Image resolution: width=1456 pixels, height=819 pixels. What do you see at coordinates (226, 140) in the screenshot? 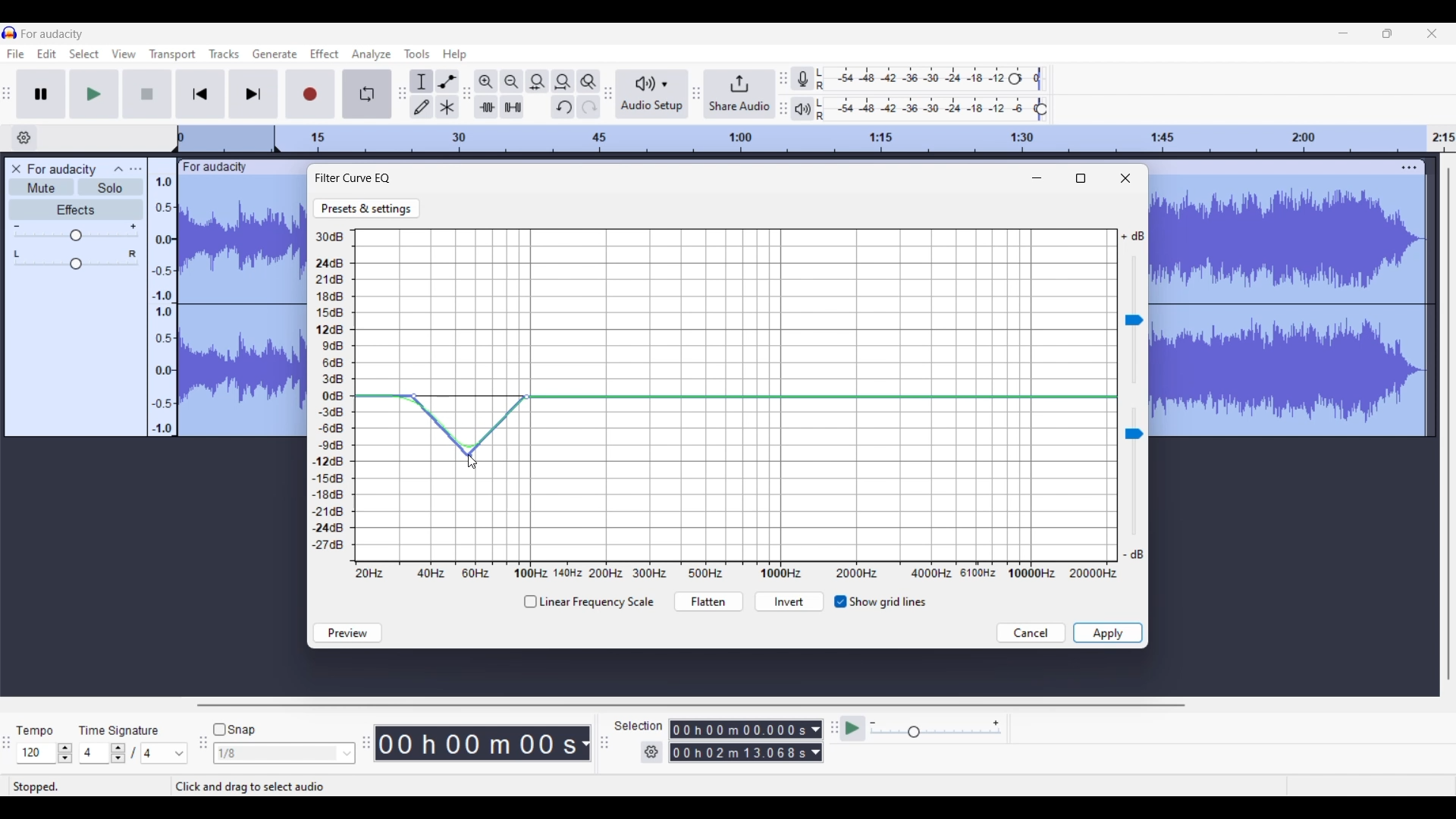
I see `Header space ` at bounding box center [226, 140].